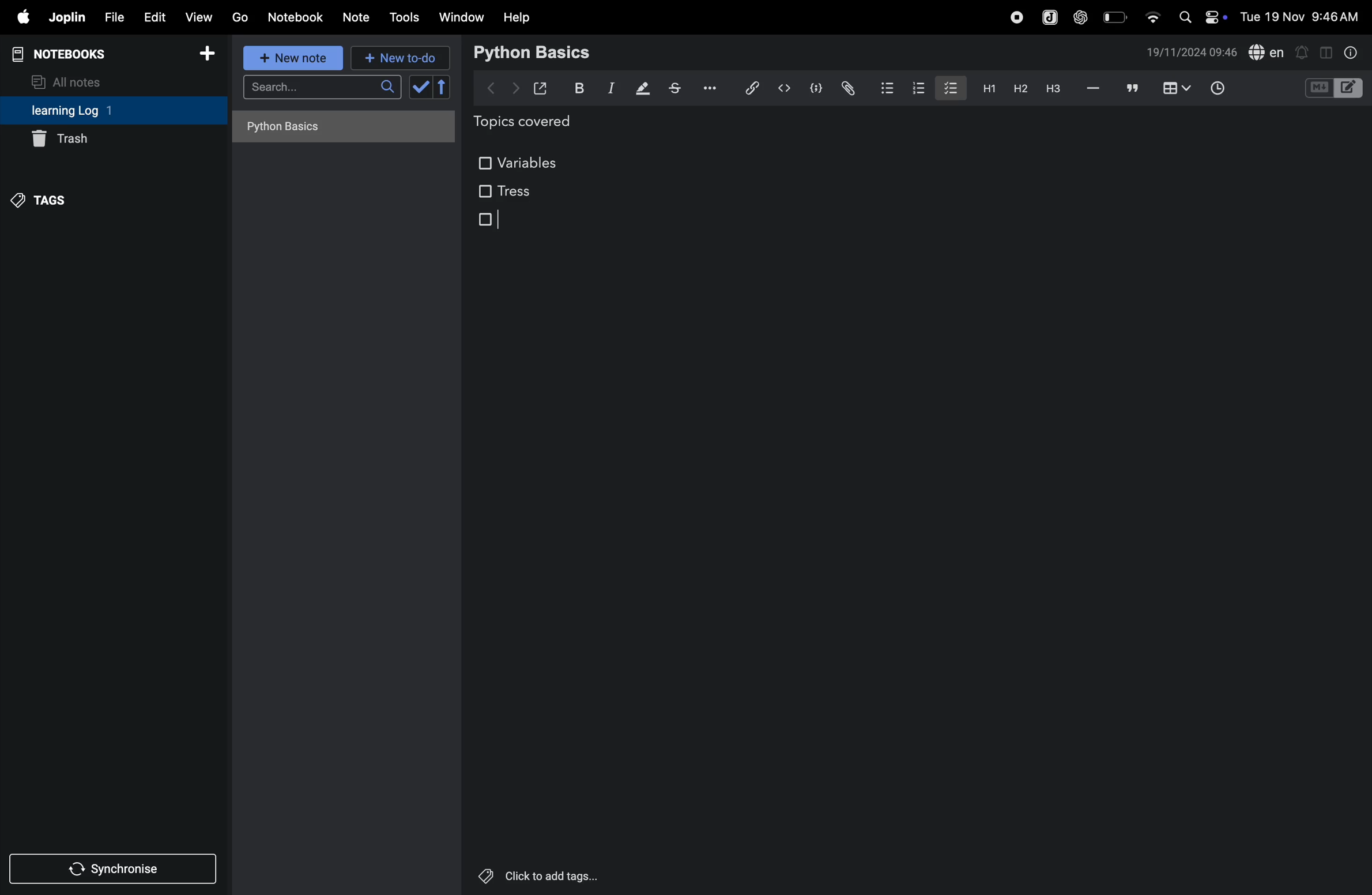  I want to click on no notes here, so click(340, 130).